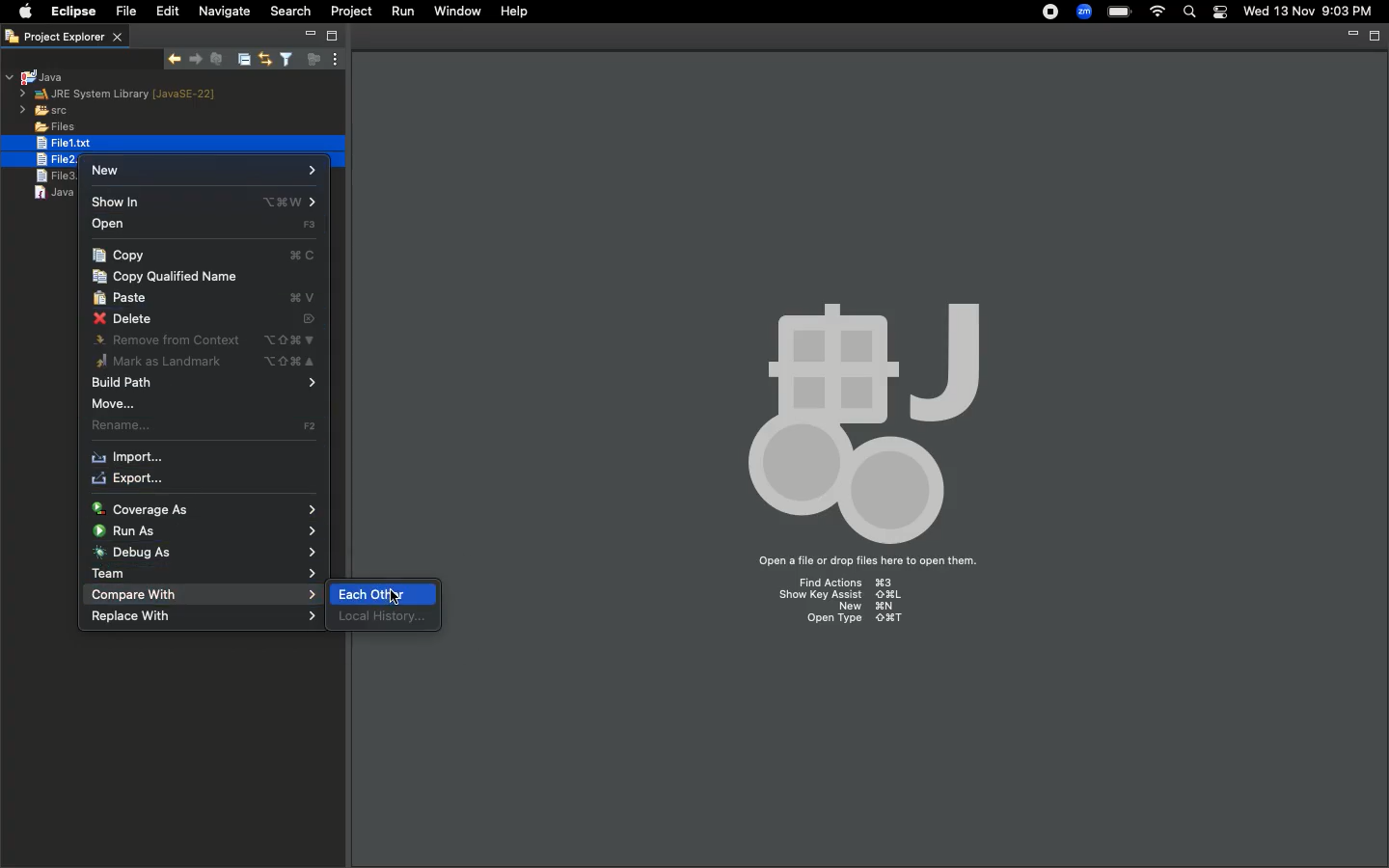 This screenshot has height=868, width=1389. Describe the element at coordinates (204, 361) in the screenshot. I see `Mark as landmark` at that location.